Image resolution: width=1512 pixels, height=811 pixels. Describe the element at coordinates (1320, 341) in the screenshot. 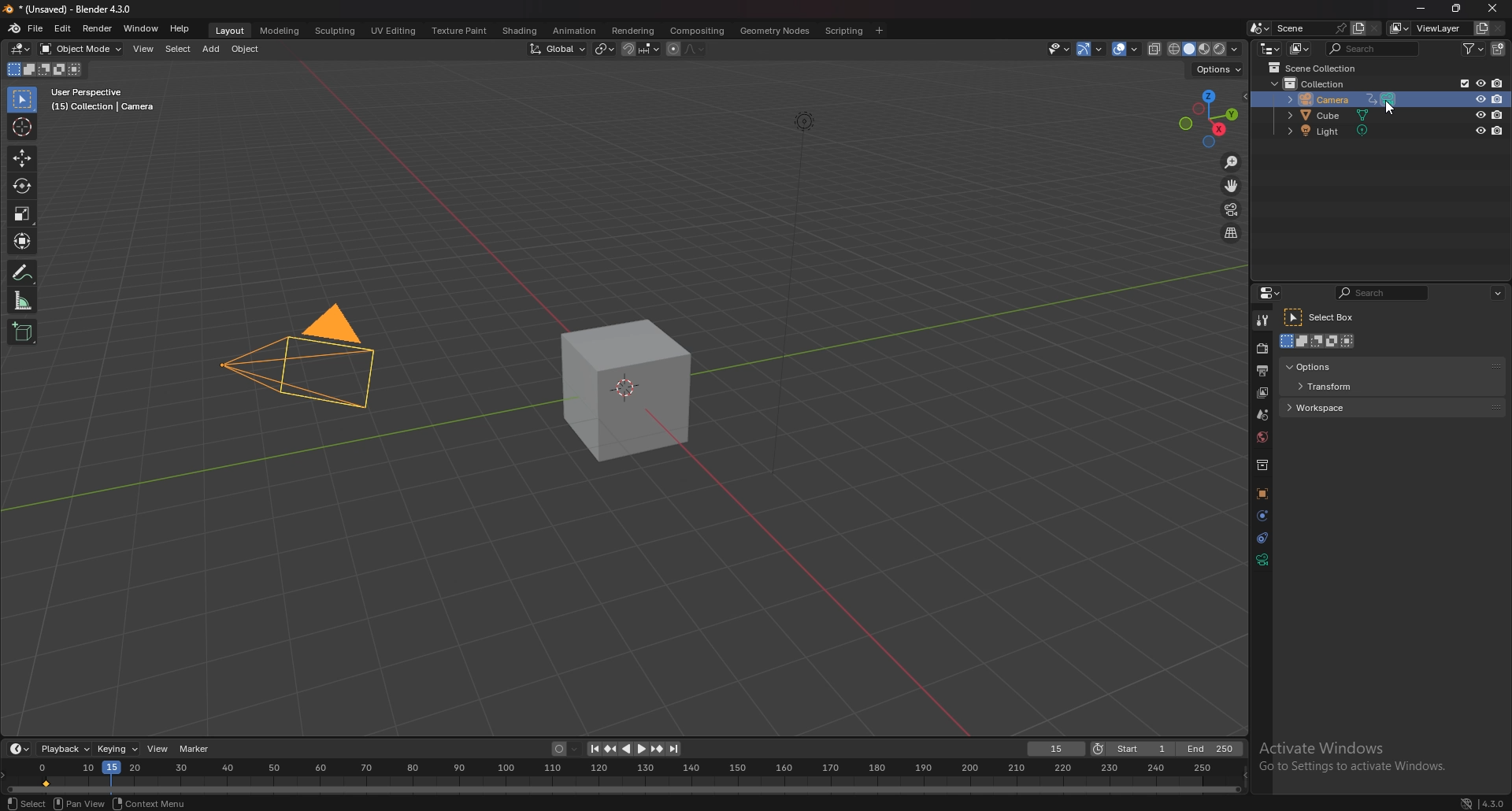

I see `modes` at that location.